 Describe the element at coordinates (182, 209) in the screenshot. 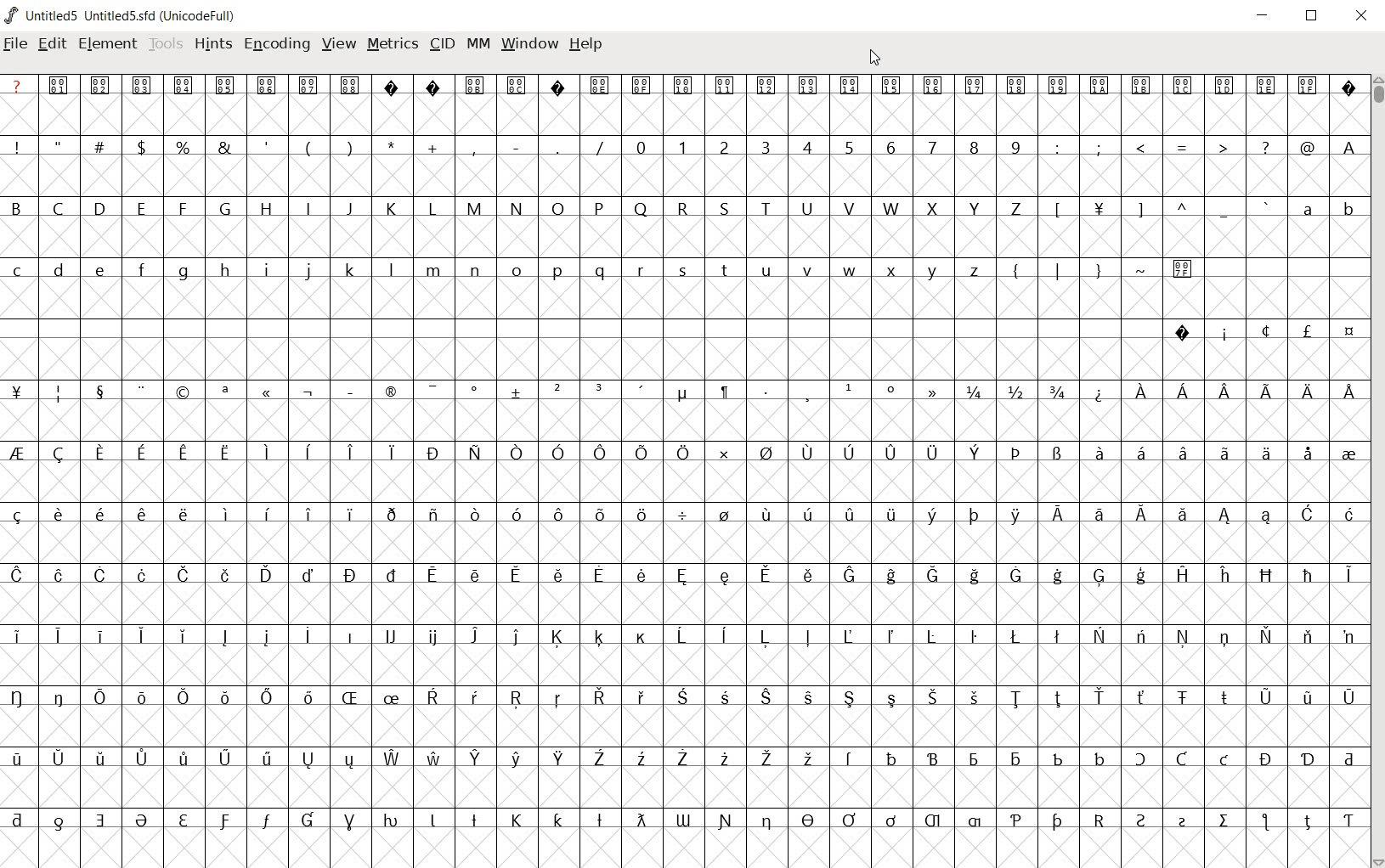

I see `F` at that location.